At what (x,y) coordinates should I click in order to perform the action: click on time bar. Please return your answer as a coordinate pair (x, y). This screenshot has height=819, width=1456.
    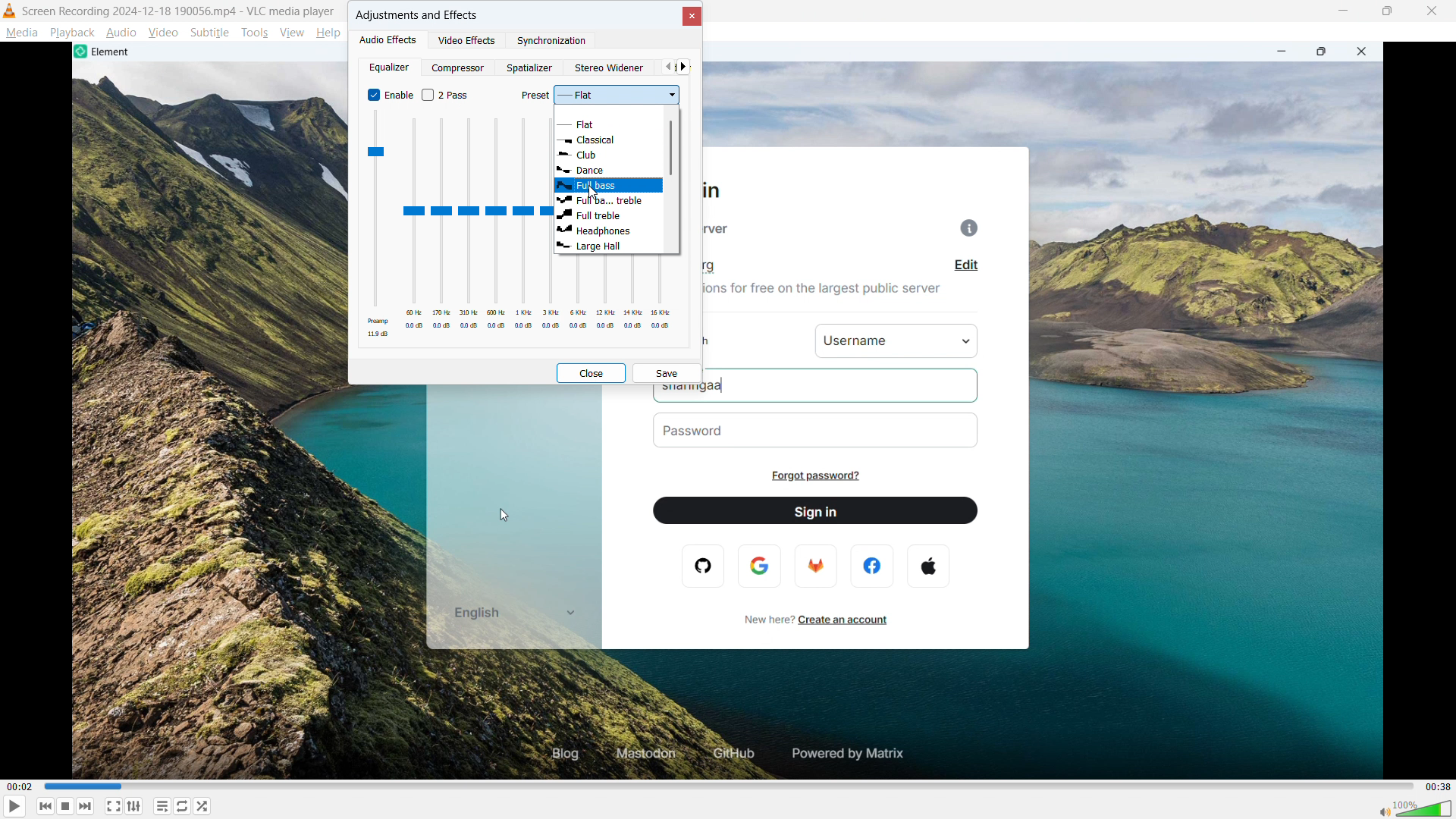
    Looking at the image, I should click on (726, 785).